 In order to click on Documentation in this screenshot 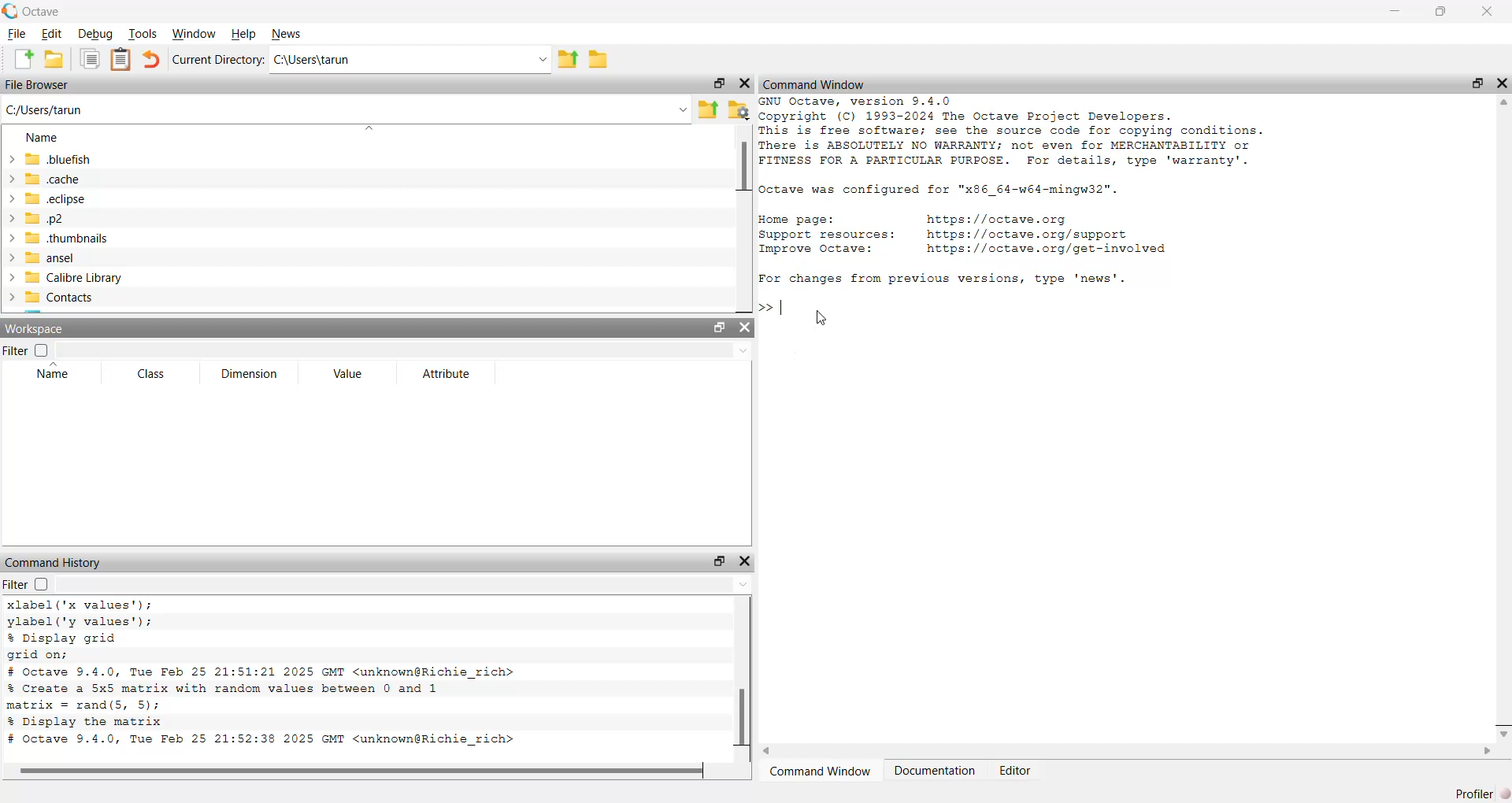, I will do `click(933, 773)`.